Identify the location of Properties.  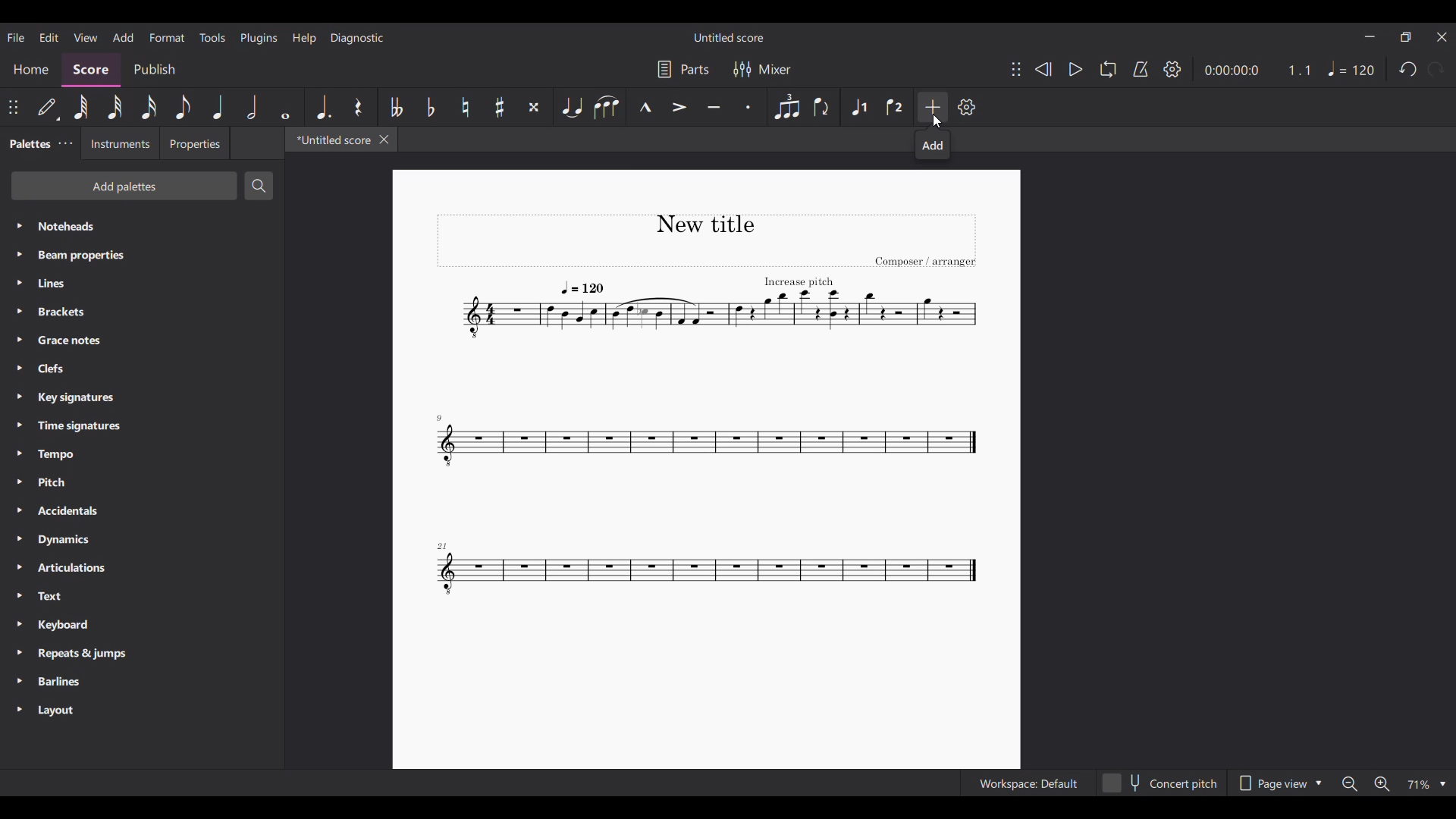
(194, 143).